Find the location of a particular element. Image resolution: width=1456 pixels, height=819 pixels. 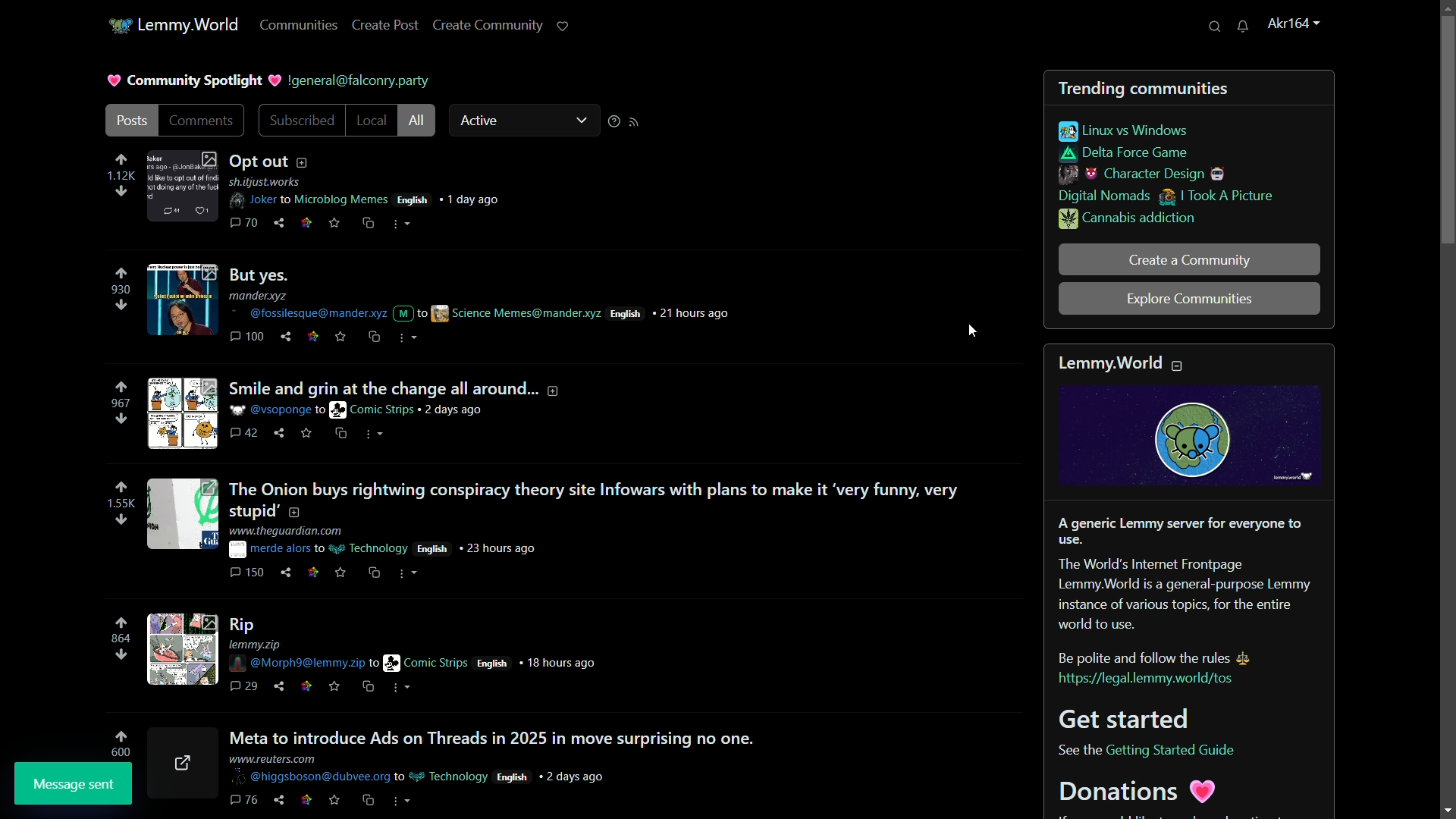

upvote is located at coordinates (121, 384).